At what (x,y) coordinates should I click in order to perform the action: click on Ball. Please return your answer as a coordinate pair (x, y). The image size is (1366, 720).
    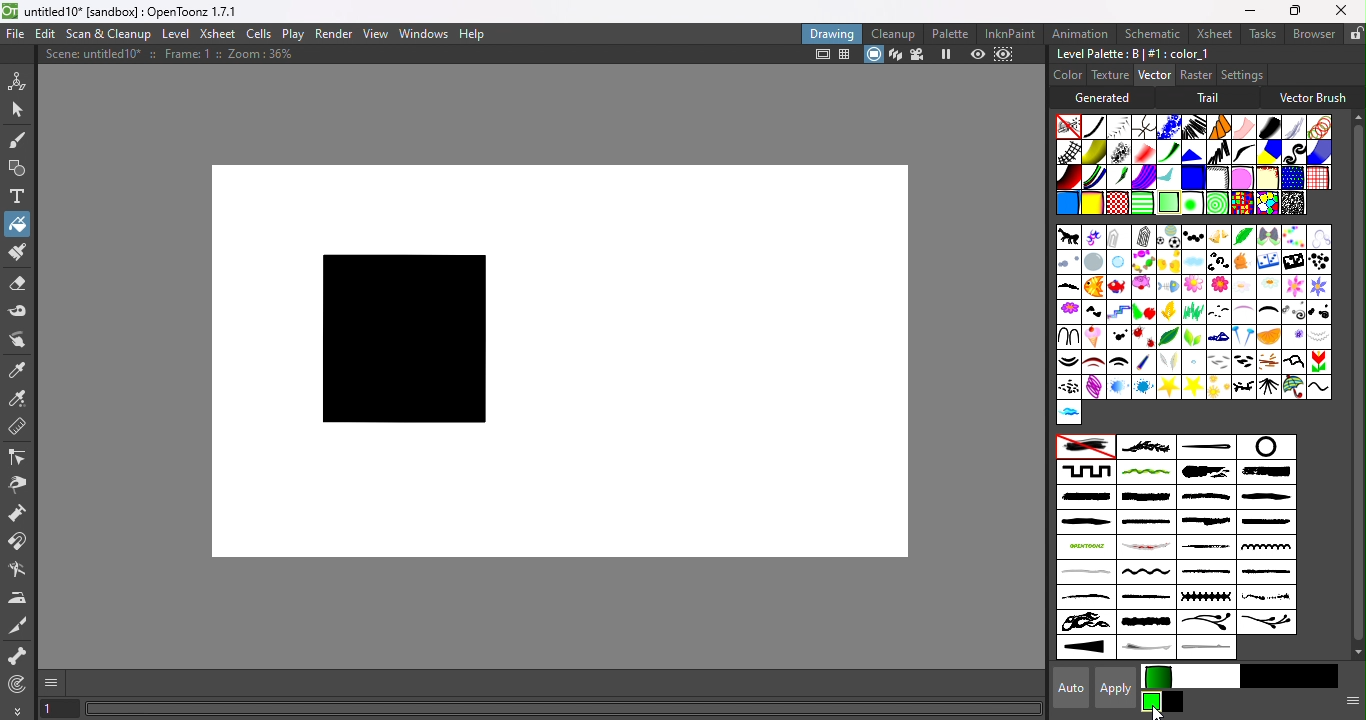
    Looking at the image, I should click on (1191, 237).